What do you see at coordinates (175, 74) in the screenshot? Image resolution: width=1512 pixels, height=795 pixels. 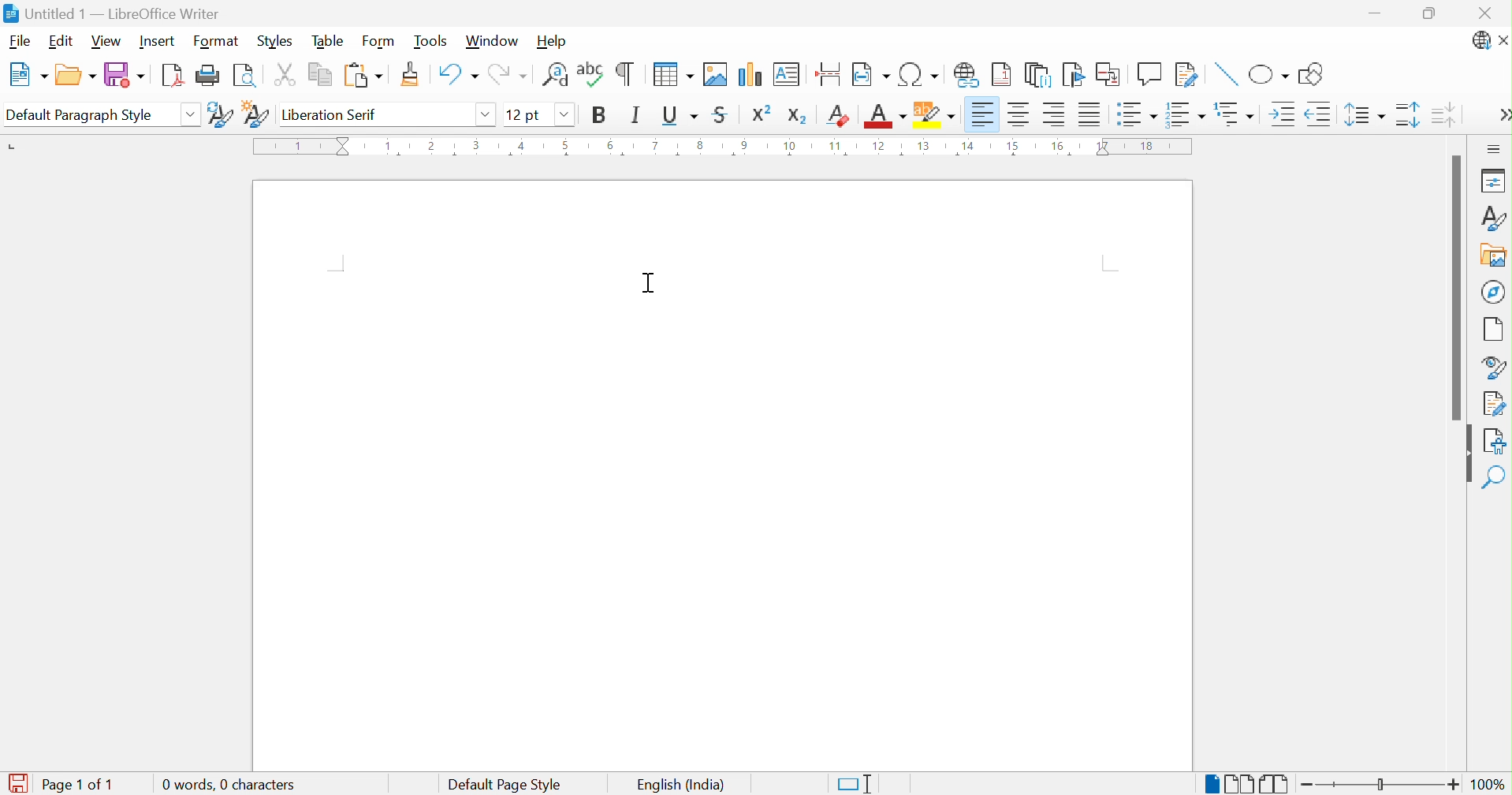 I see `Import as PDF` at bounding box center [175, 74].